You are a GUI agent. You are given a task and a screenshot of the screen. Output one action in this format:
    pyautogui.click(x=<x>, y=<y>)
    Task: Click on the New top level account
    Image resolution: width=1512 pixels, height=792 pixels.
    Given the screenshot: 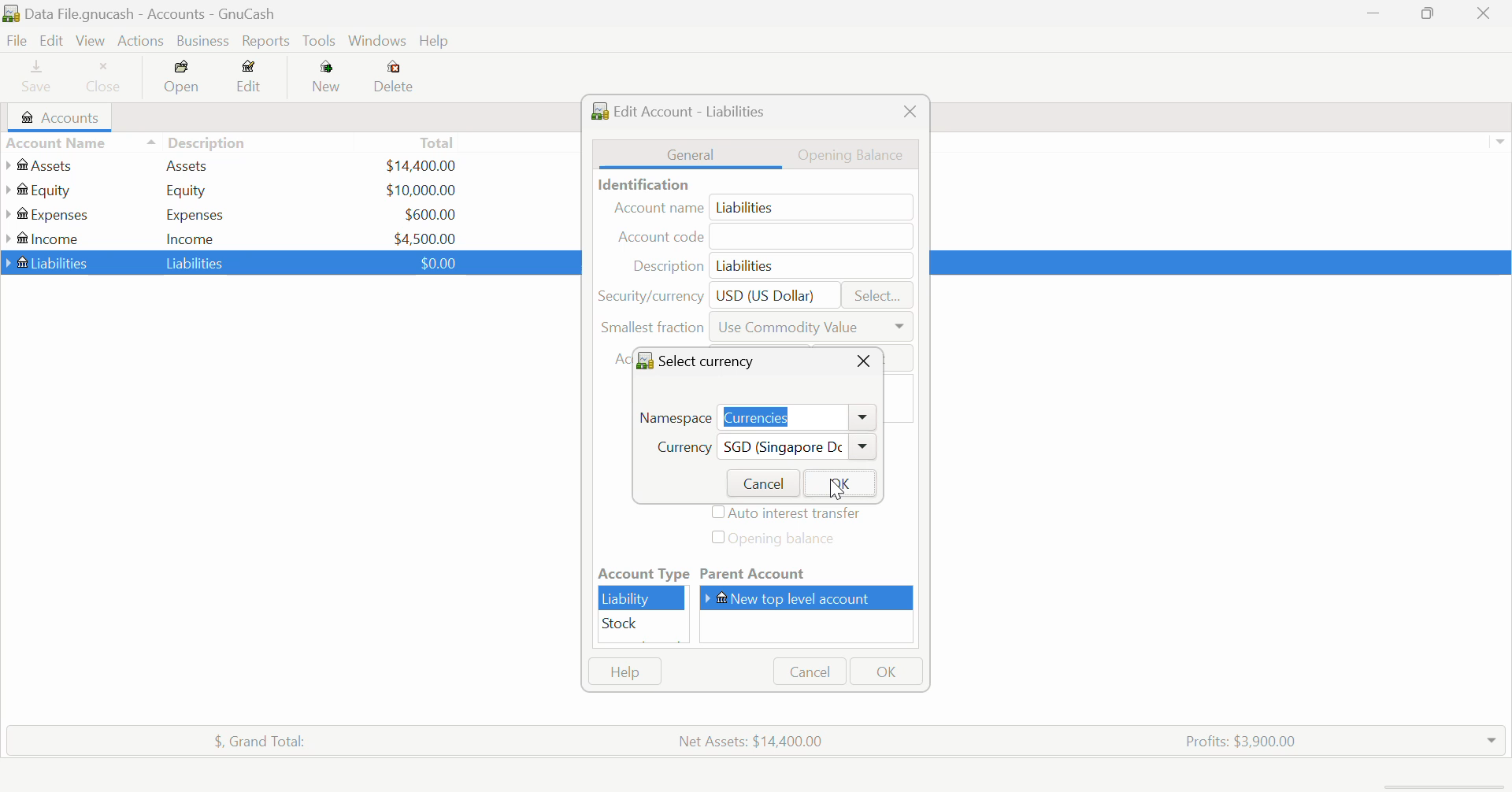 What is the action you would take?
    pyautogui.click(x=812, y=598)
    